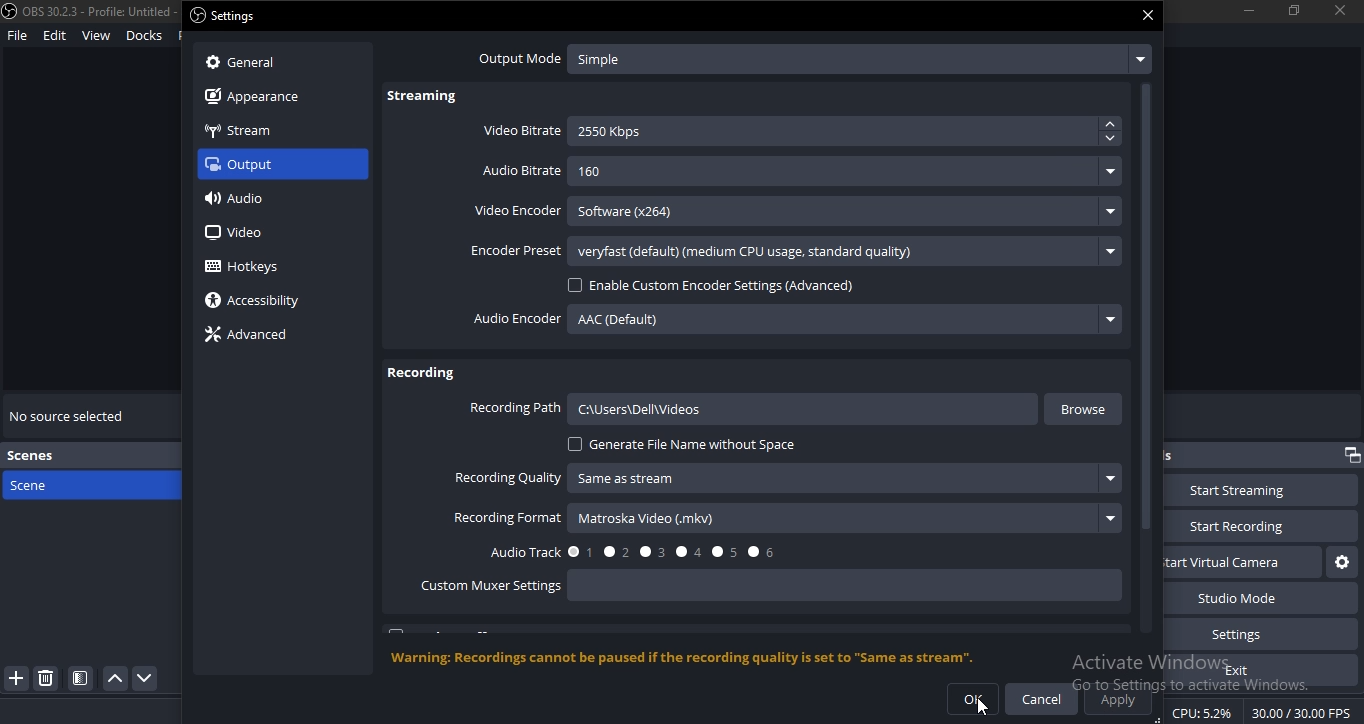 This screenshot has width=1364, height=724. What do you see at coordinates (1041, 699) in the screenshot?
I see `cancel` at bounding box center [1041, 699].